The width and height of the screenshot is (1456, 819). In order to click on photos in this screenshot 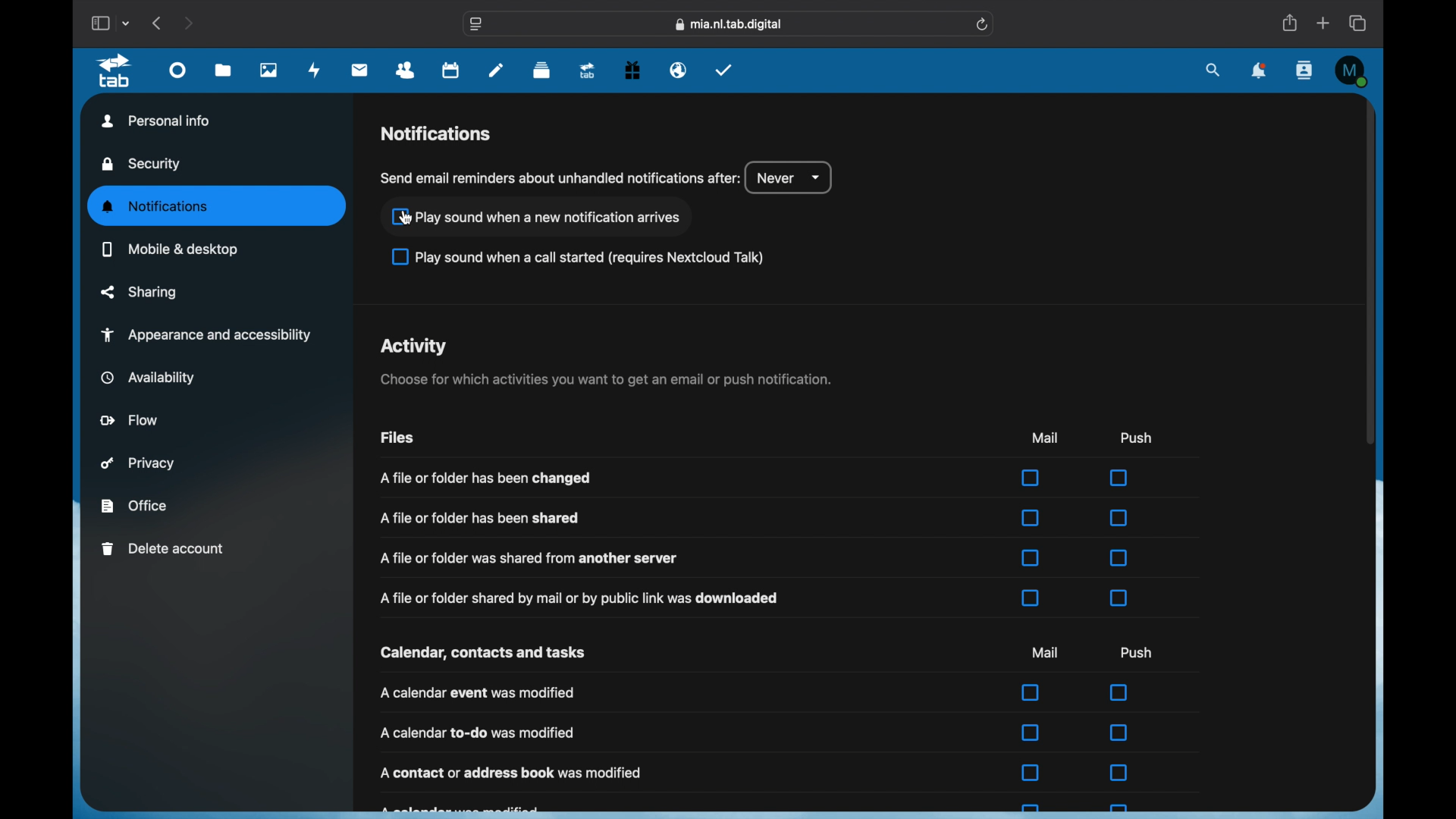, I will do `click(268, 71)`.